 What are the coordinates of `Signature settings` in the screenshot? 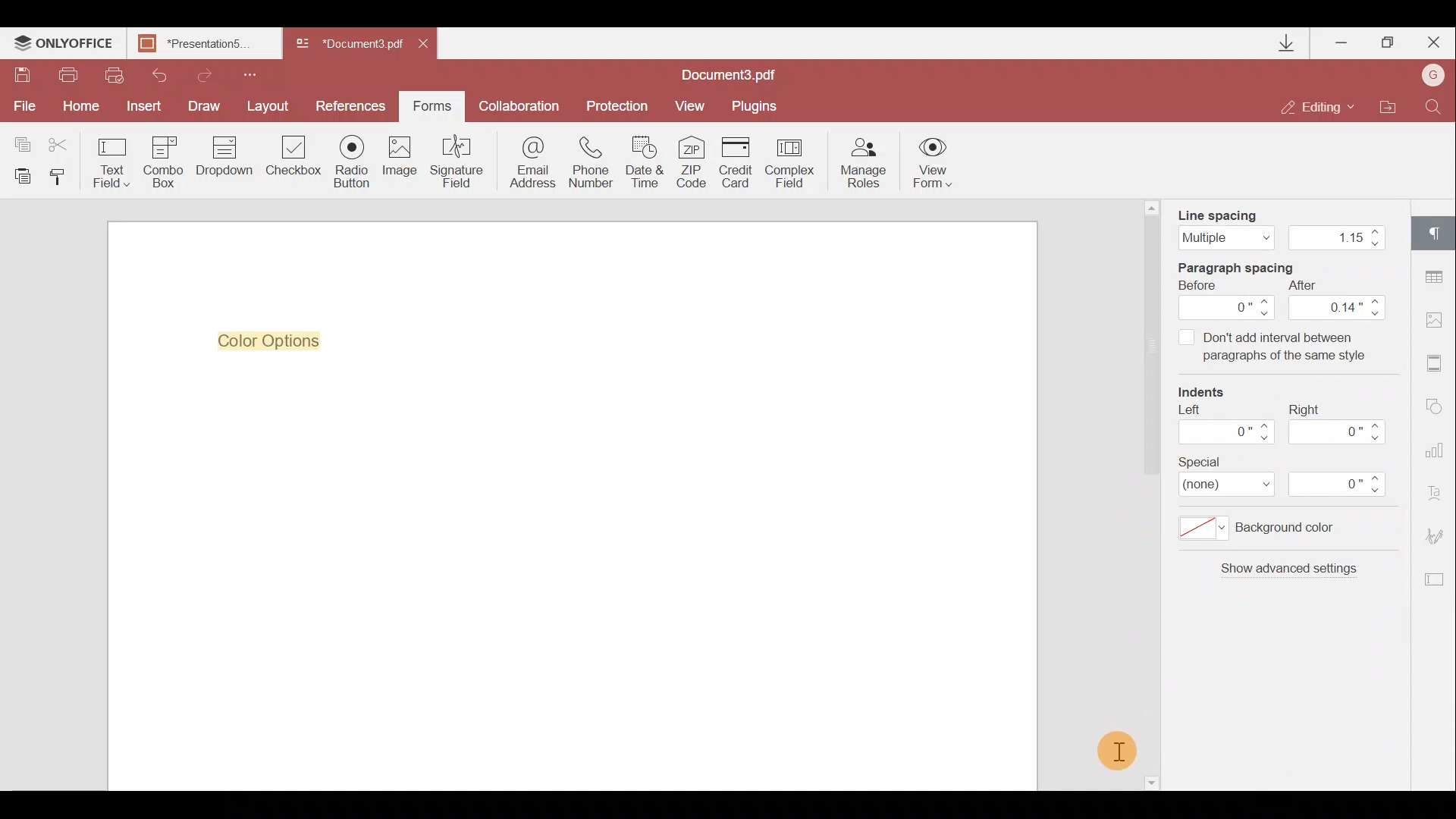 It's located at (1433, 531).